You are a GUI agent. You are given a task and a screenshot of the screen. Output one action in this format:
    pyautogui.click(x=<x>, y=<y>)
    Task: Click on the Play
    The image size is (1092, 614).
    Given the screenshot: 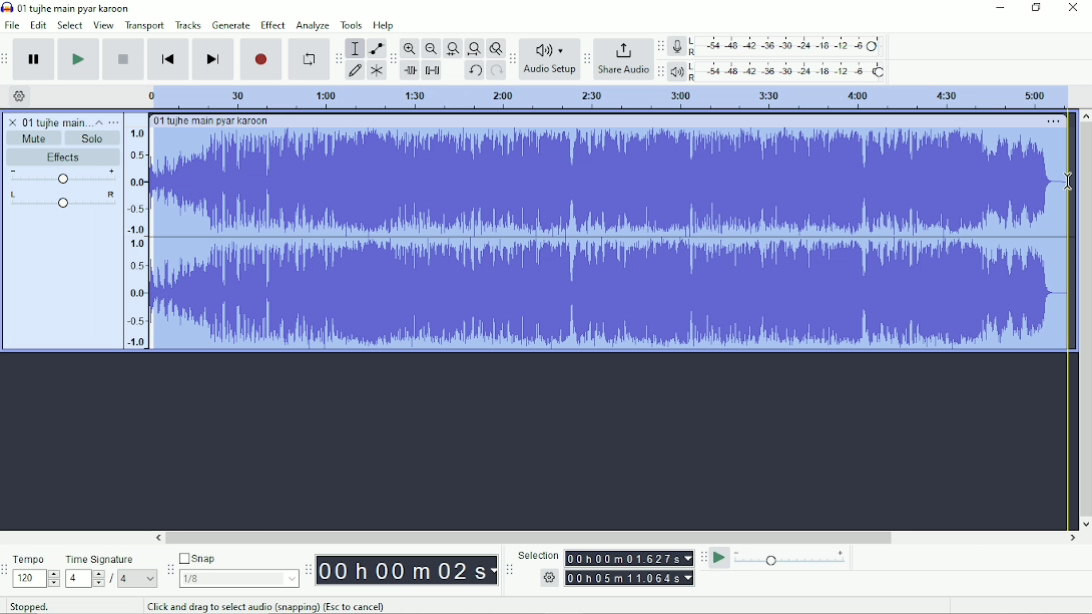 What is the action you would take?
    pyautogui.click(x=80, y=59)
    